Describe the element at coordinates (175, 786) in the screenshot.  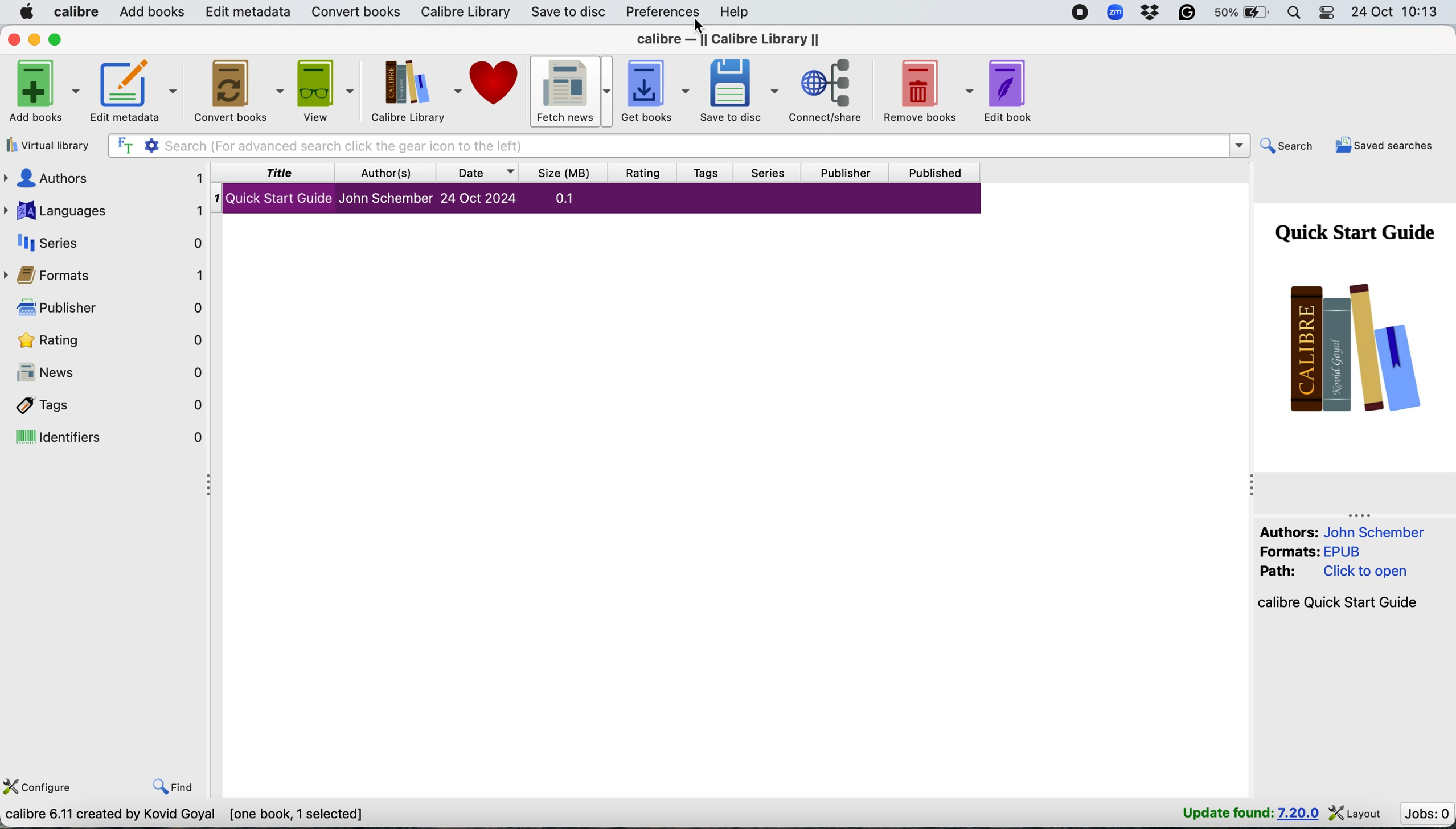
I see `find` at that location.